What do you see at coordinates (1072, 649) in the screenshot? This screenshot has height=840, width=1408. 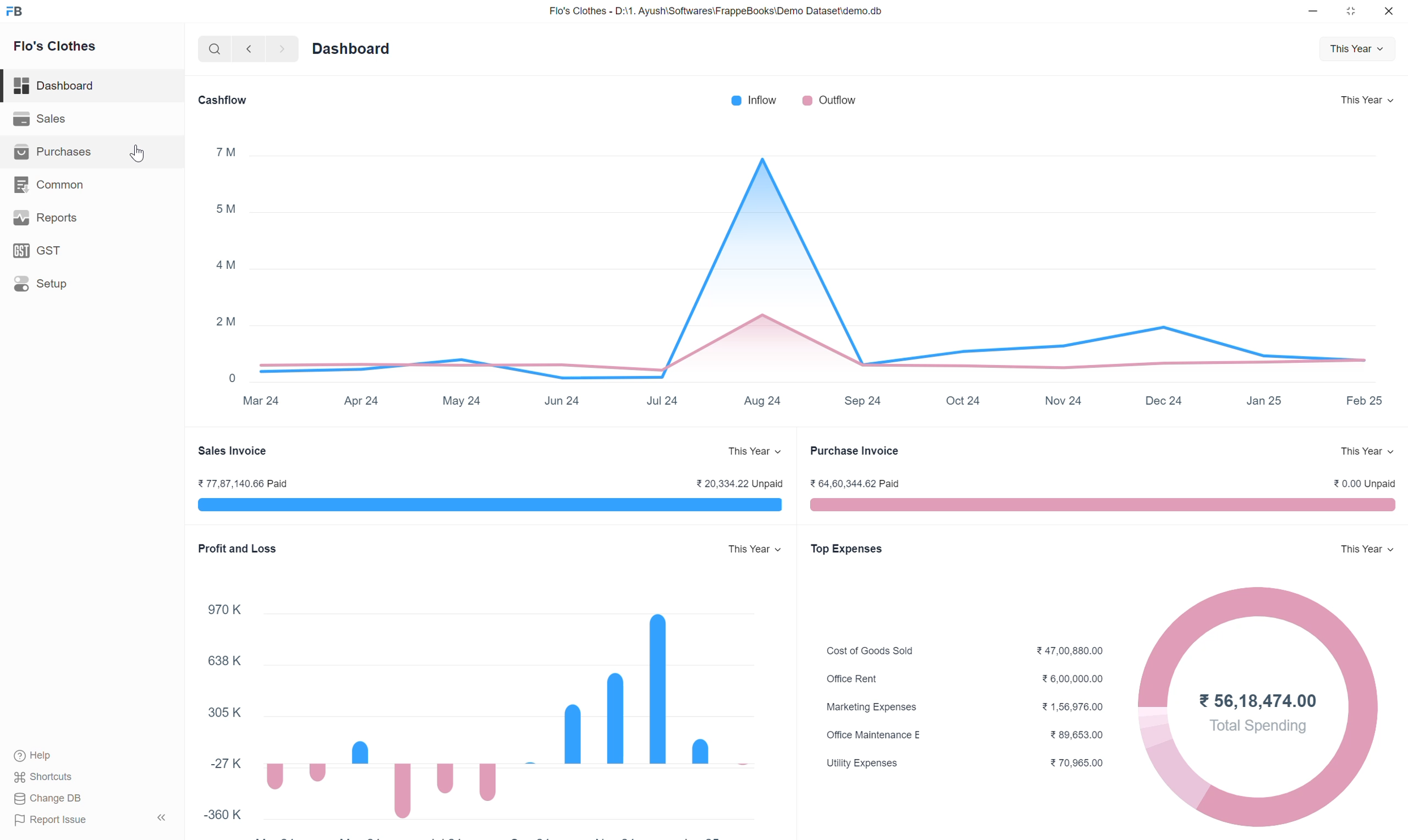 I see `47,00,880.00` at bounding box center [1072, 649].